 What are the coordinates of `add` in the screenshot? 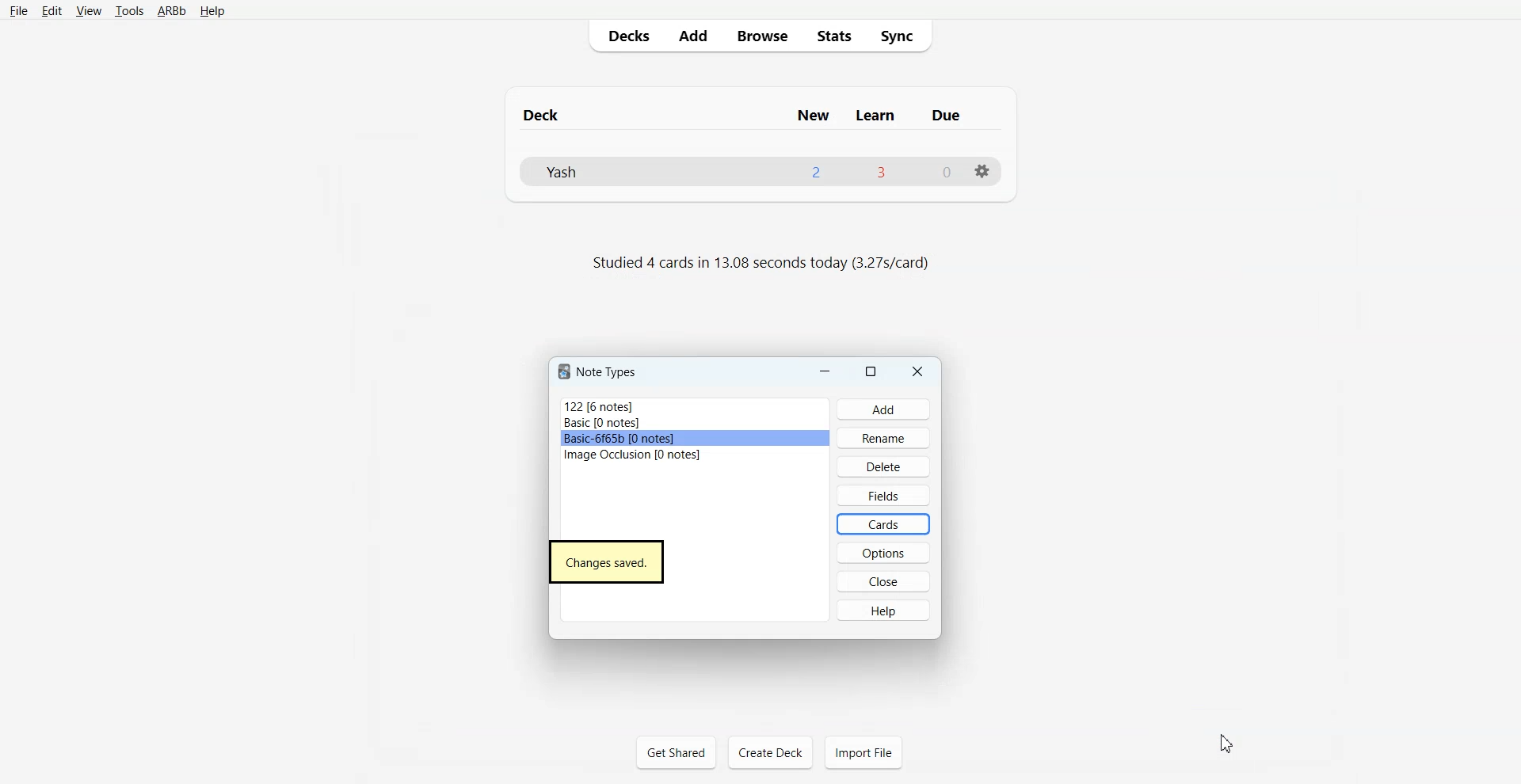 It's located at (882, 412).